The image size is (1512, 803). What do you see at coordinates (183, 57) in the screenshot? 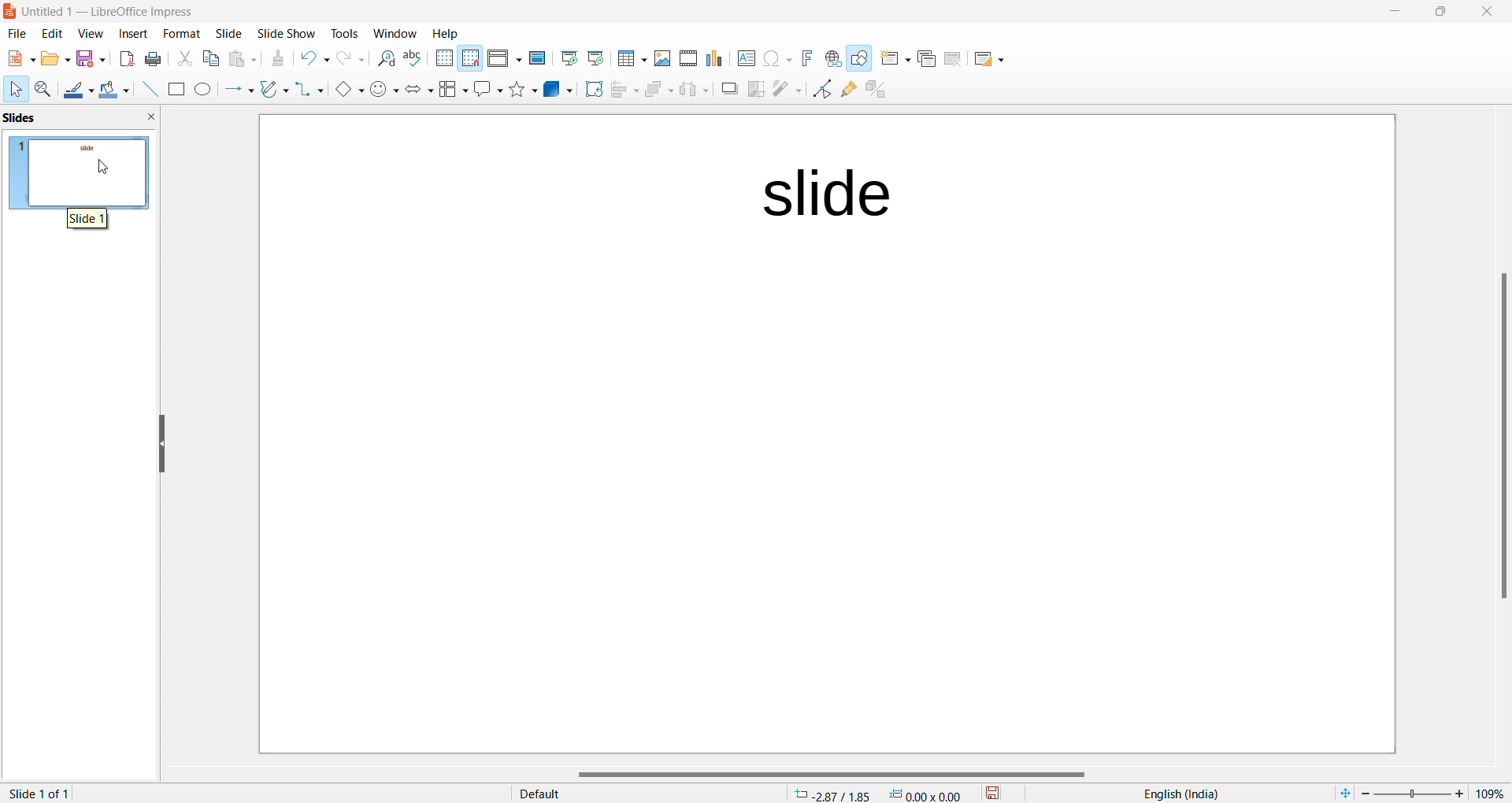
I see `Cut` at bounding box center [183, 57].